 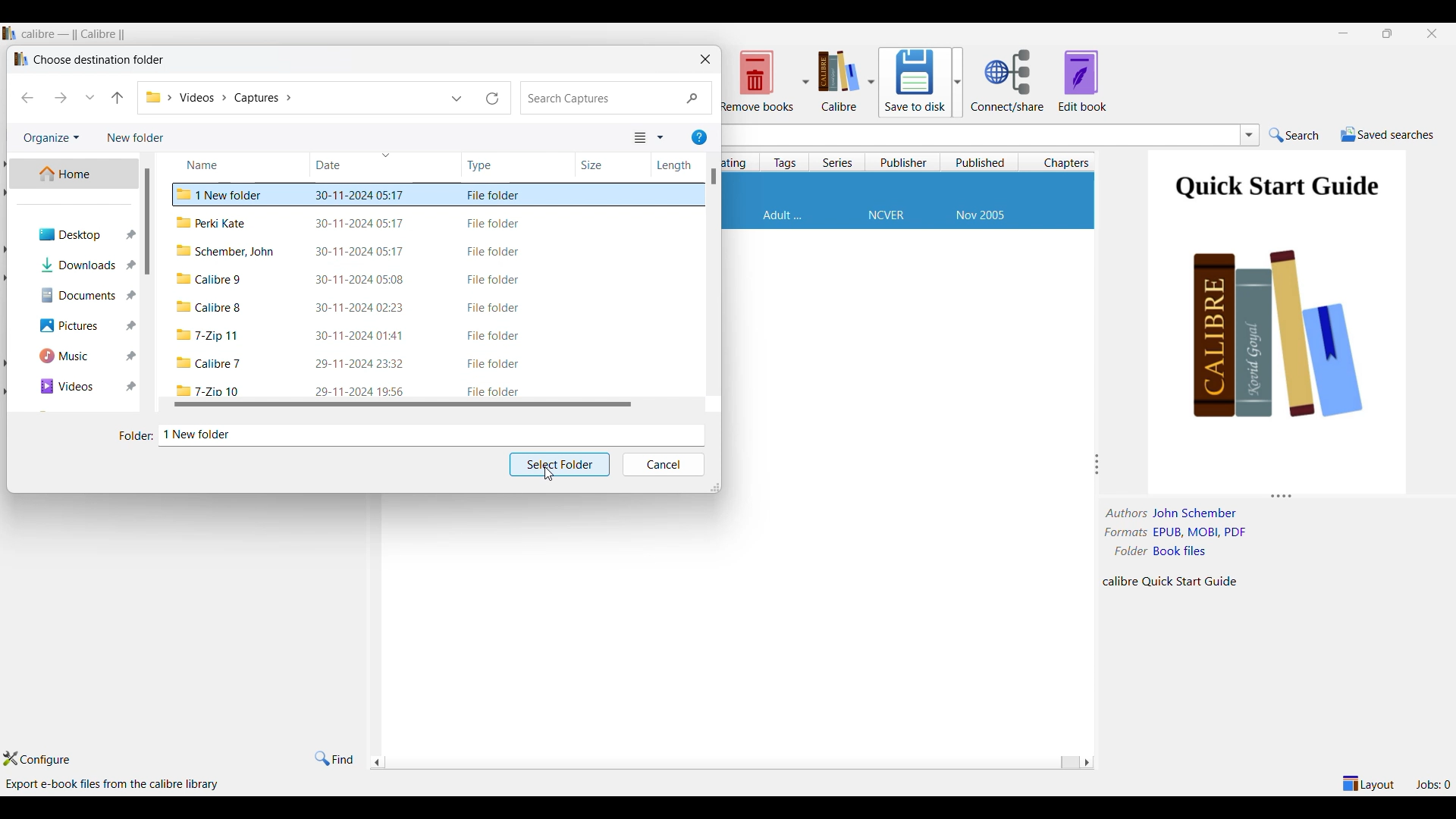 What do you see at coordinates (1009, 81) in the screenshot?
I see `Connect/share` at bounding box center [1009, 81].